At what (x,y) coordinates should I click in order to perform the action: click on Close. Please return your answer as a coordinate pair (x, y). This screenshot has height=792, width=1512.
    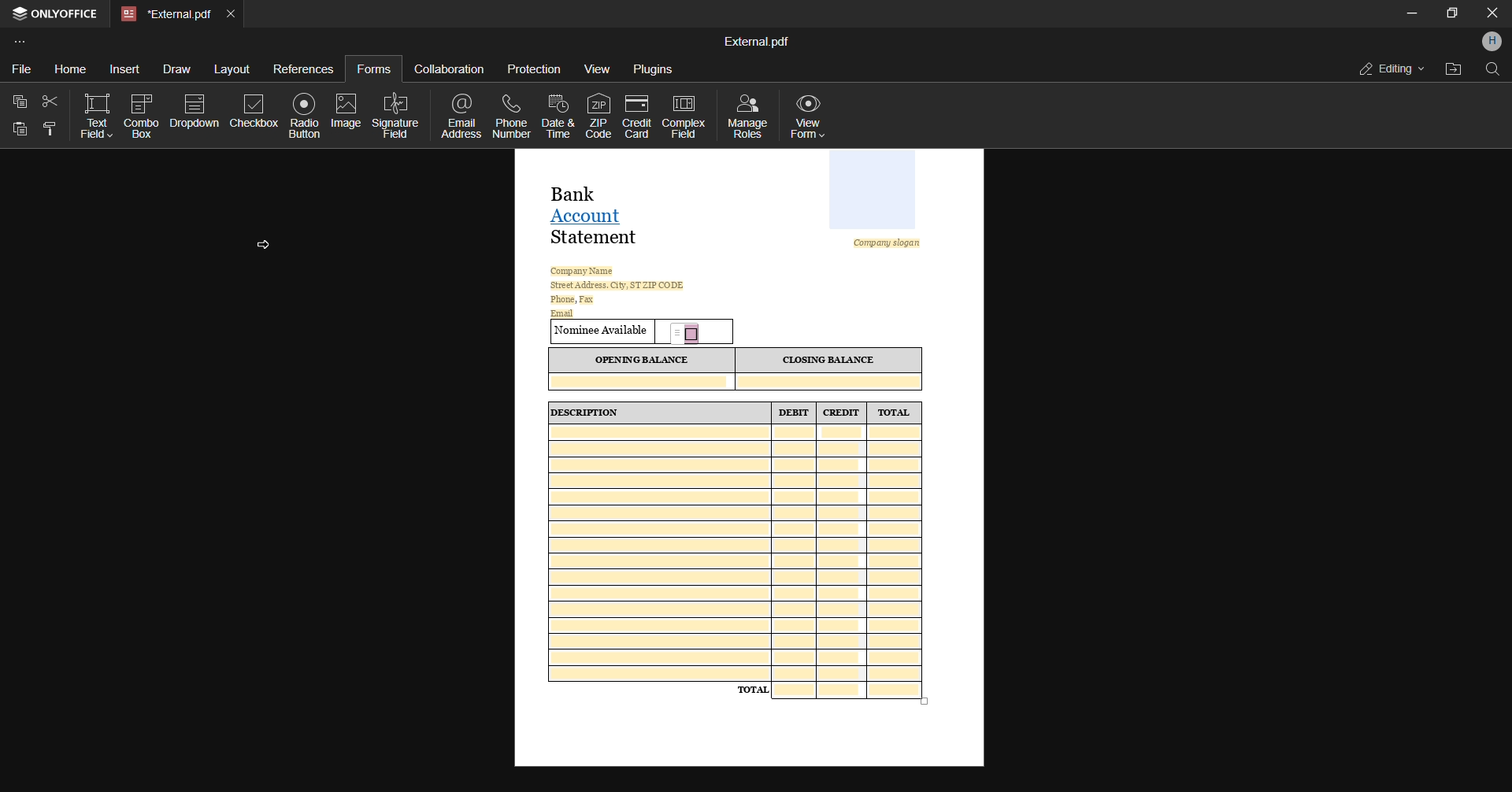
    Looking at the image, I should click on (1491, 13).